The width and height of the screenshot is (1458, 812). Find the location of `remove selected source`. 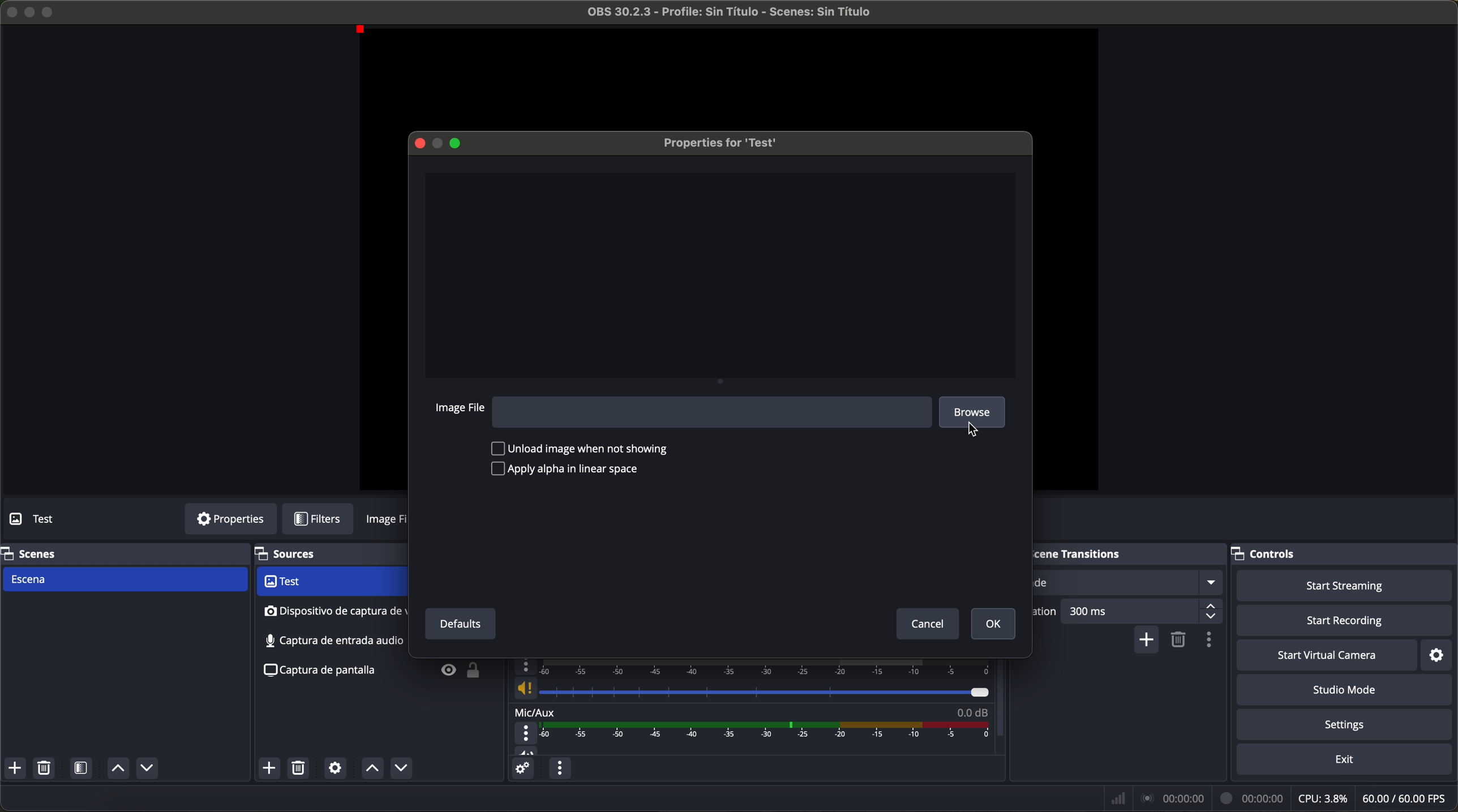

remove selected source is located at coordinates (301, 768).